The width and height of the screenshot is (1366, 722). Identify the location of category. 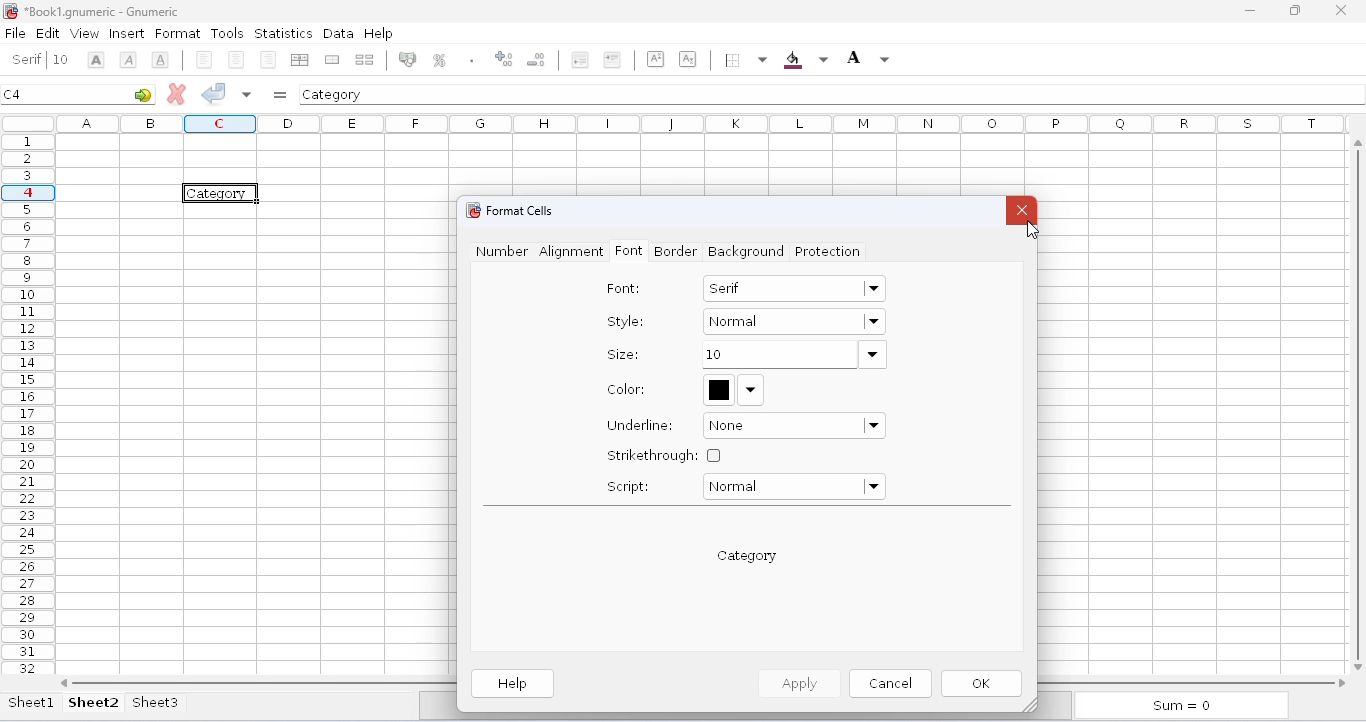
(333, 94).